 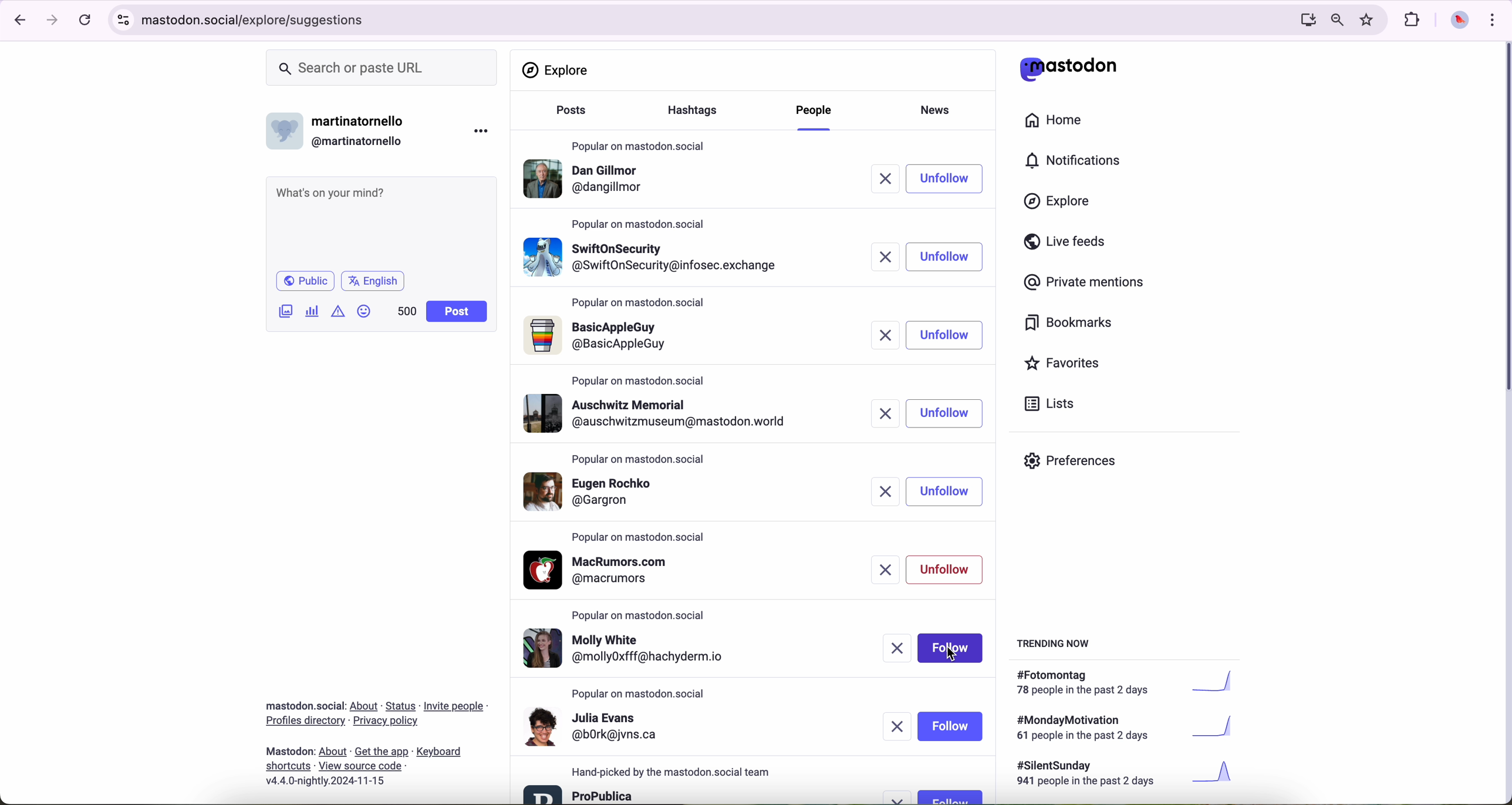 I want to click on navigate foward, so click(x=53, y=21).